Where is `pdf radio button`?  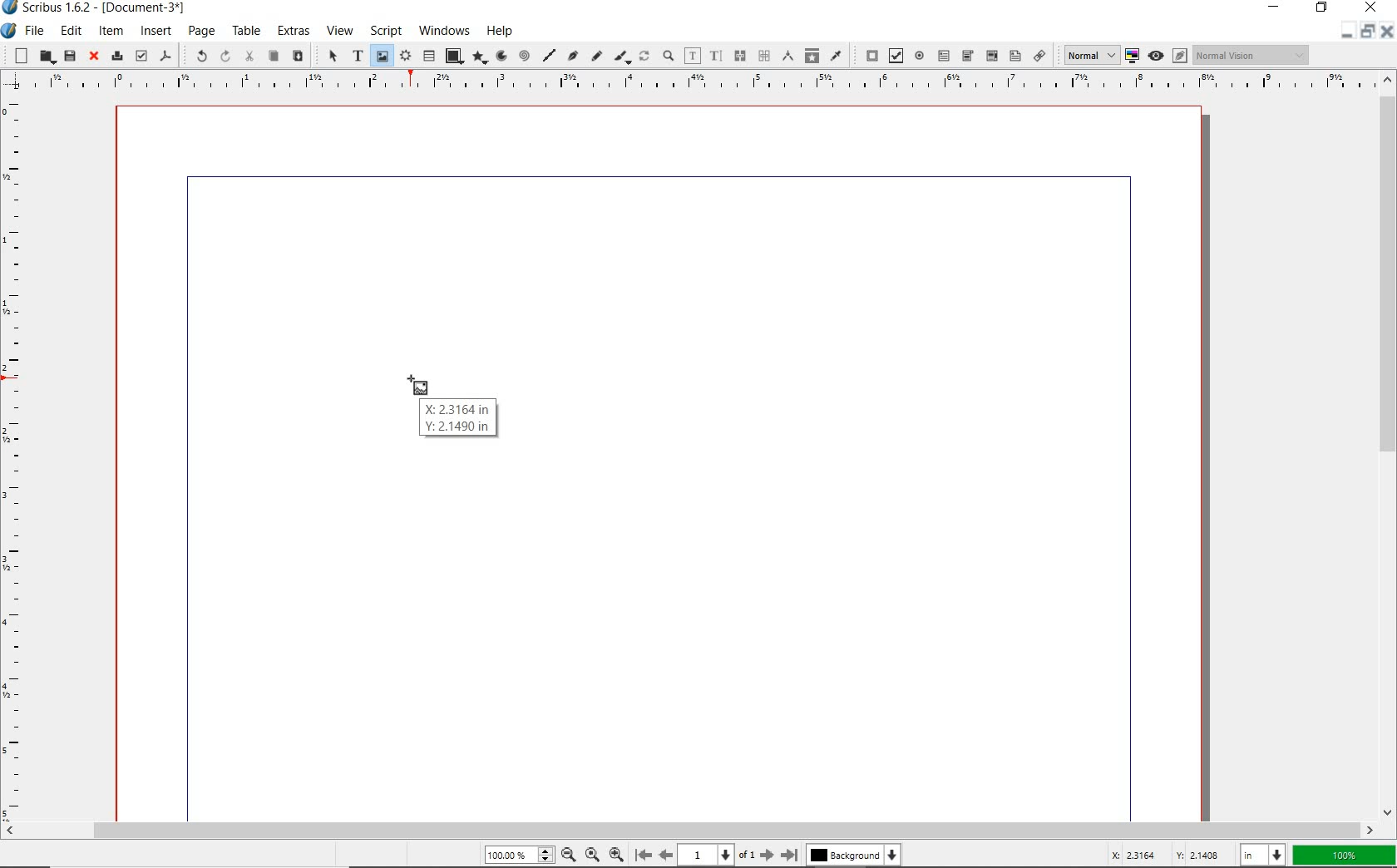 pdf radio button is located at coordinates (921, 56).